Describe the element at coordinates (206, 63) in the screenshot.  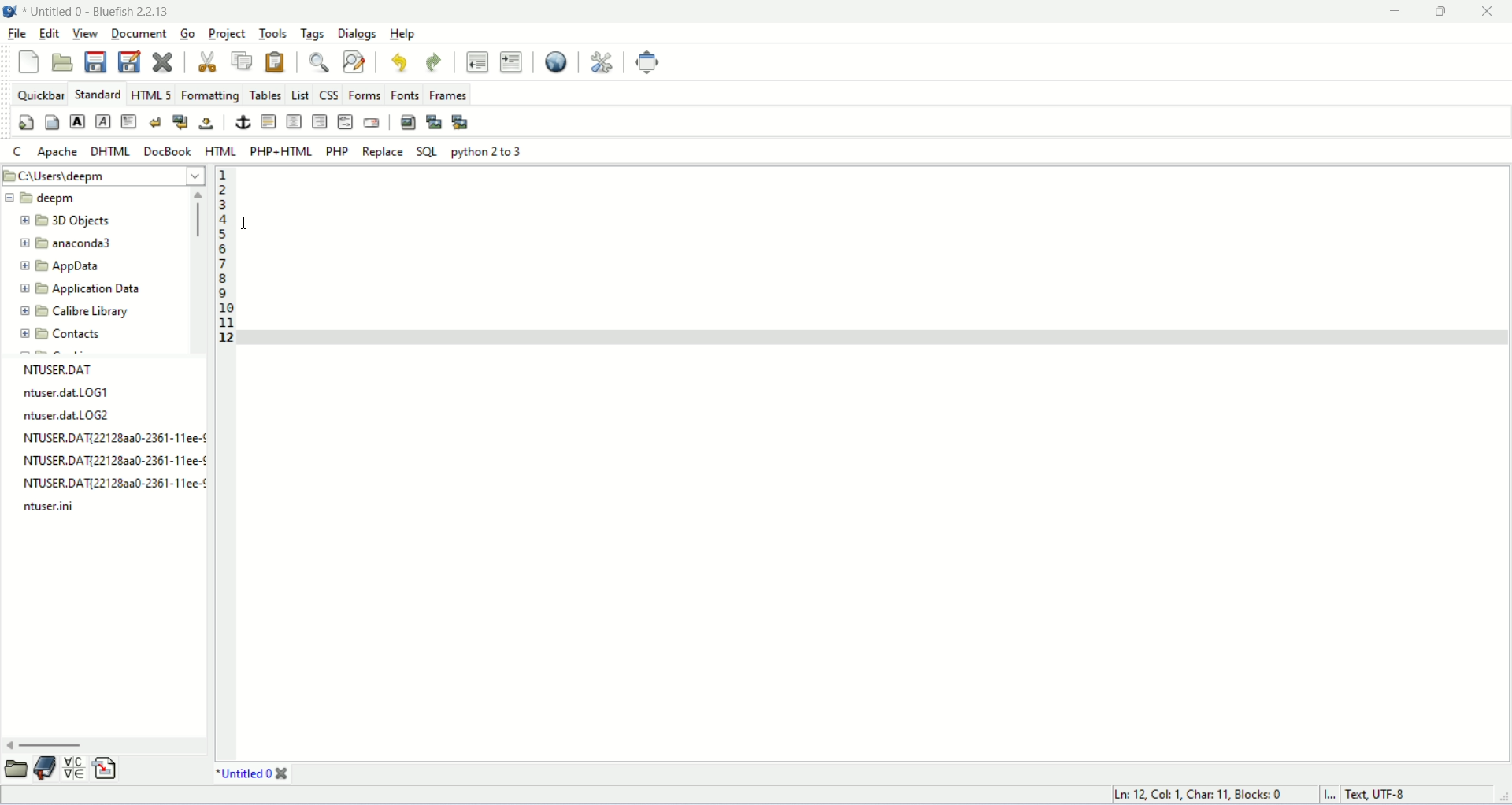
I see `cut` at that location.